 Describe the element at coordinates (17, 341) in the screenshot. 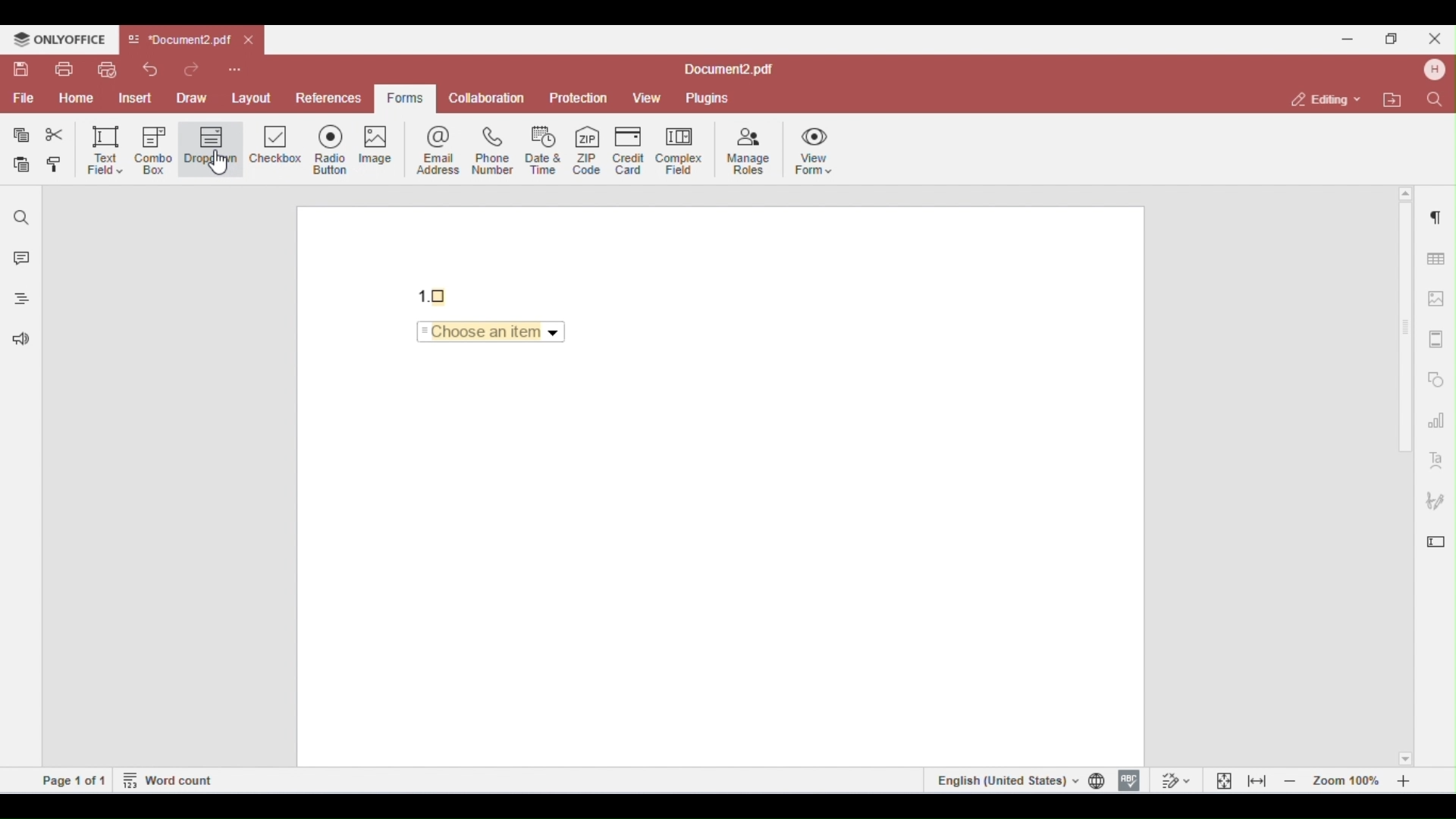

I see `feedback and support` at that location.